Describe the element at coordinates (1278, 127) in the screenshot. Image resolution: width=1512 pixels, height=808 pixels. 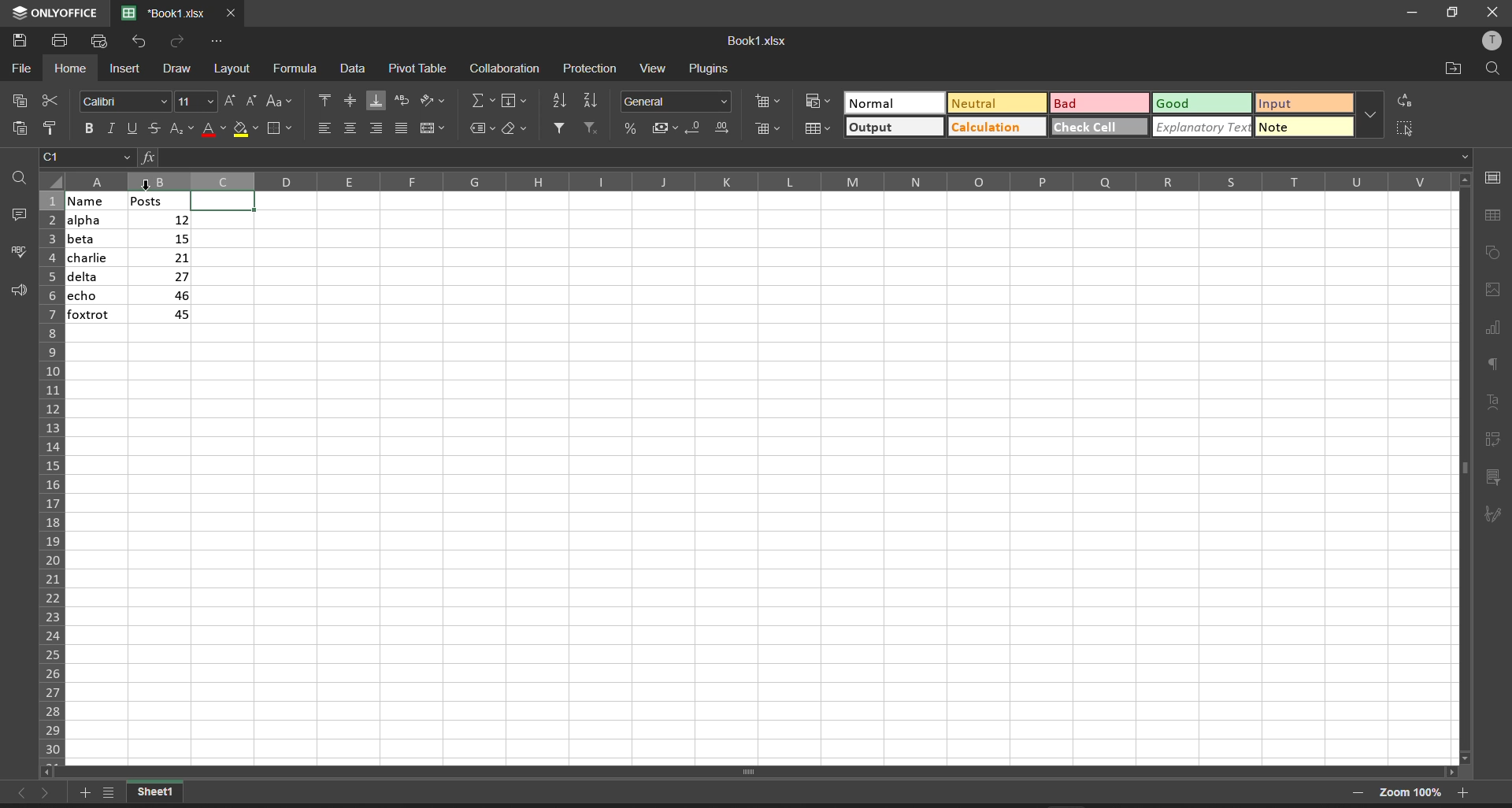
I see `note` at that location.